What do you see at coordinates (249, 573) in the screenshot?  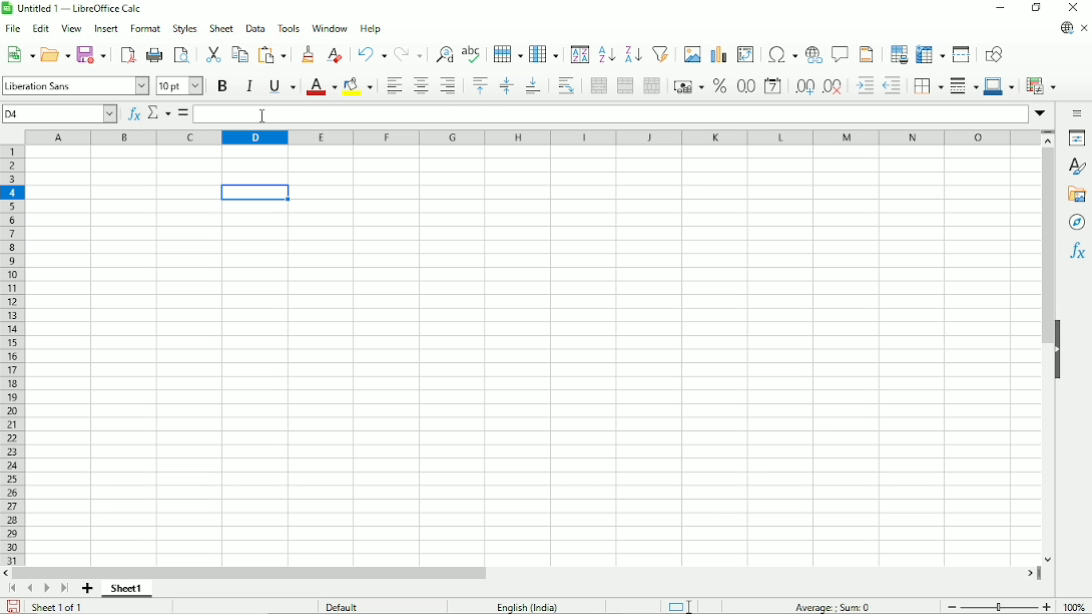 I see `Horizontal scrollbar` at bounding box center [249, 573].